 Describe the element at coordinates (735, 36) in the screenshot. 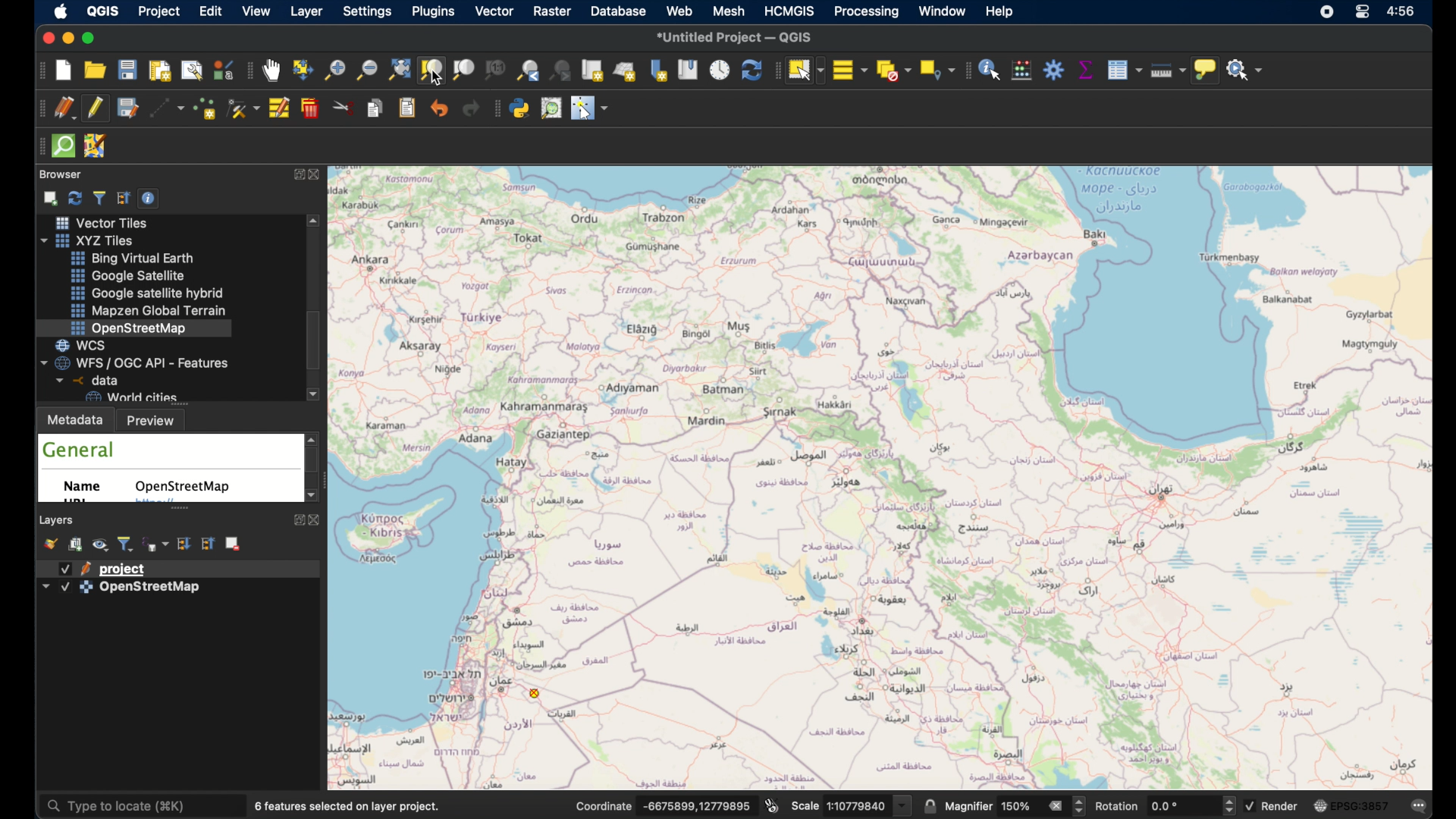

I see `untitled project - QGIS` at that location.